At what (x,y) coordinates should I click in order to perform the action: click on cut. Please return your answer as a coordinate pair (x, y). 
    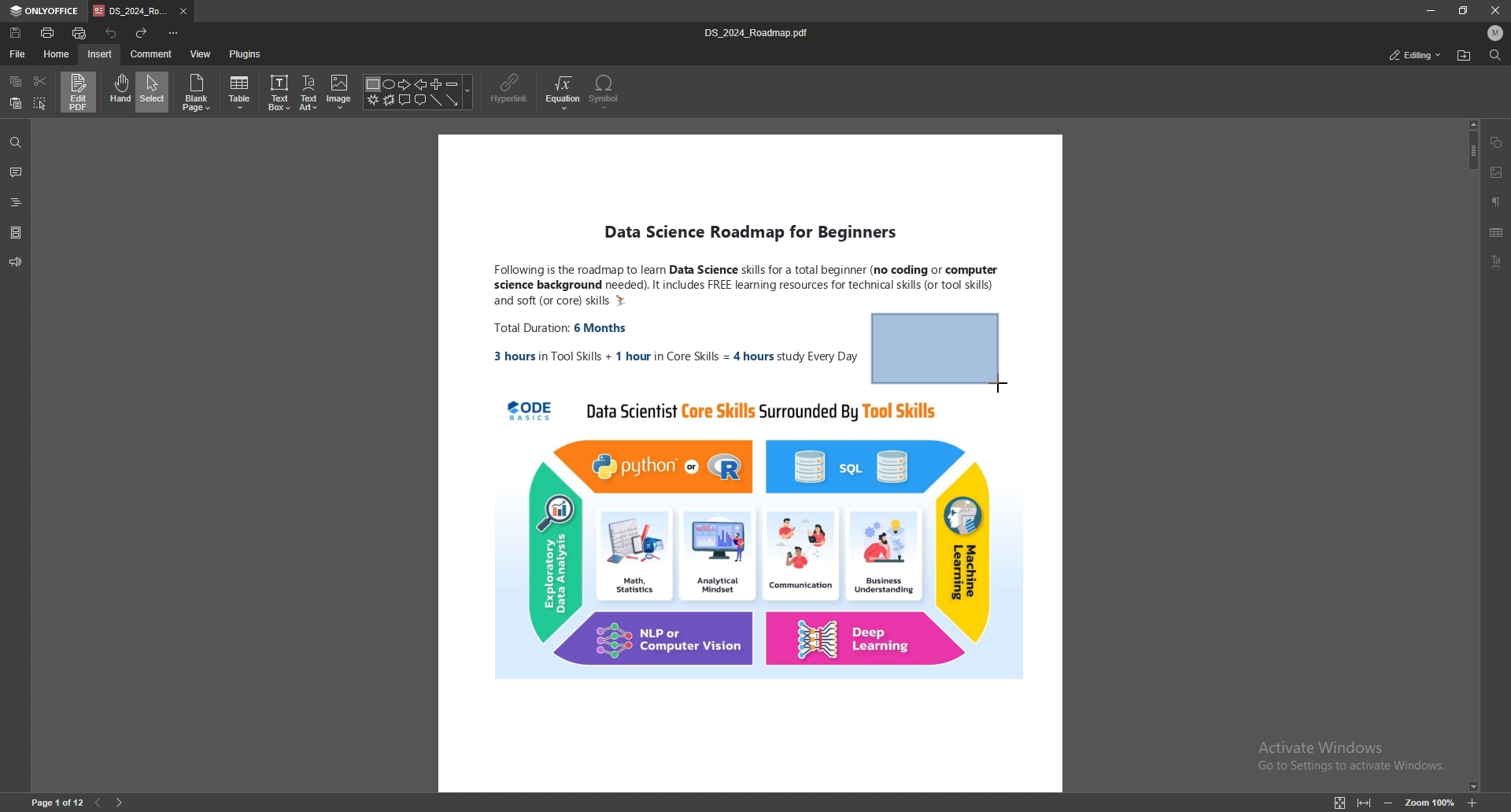
    Looking at the image, I should click on (39, 80).